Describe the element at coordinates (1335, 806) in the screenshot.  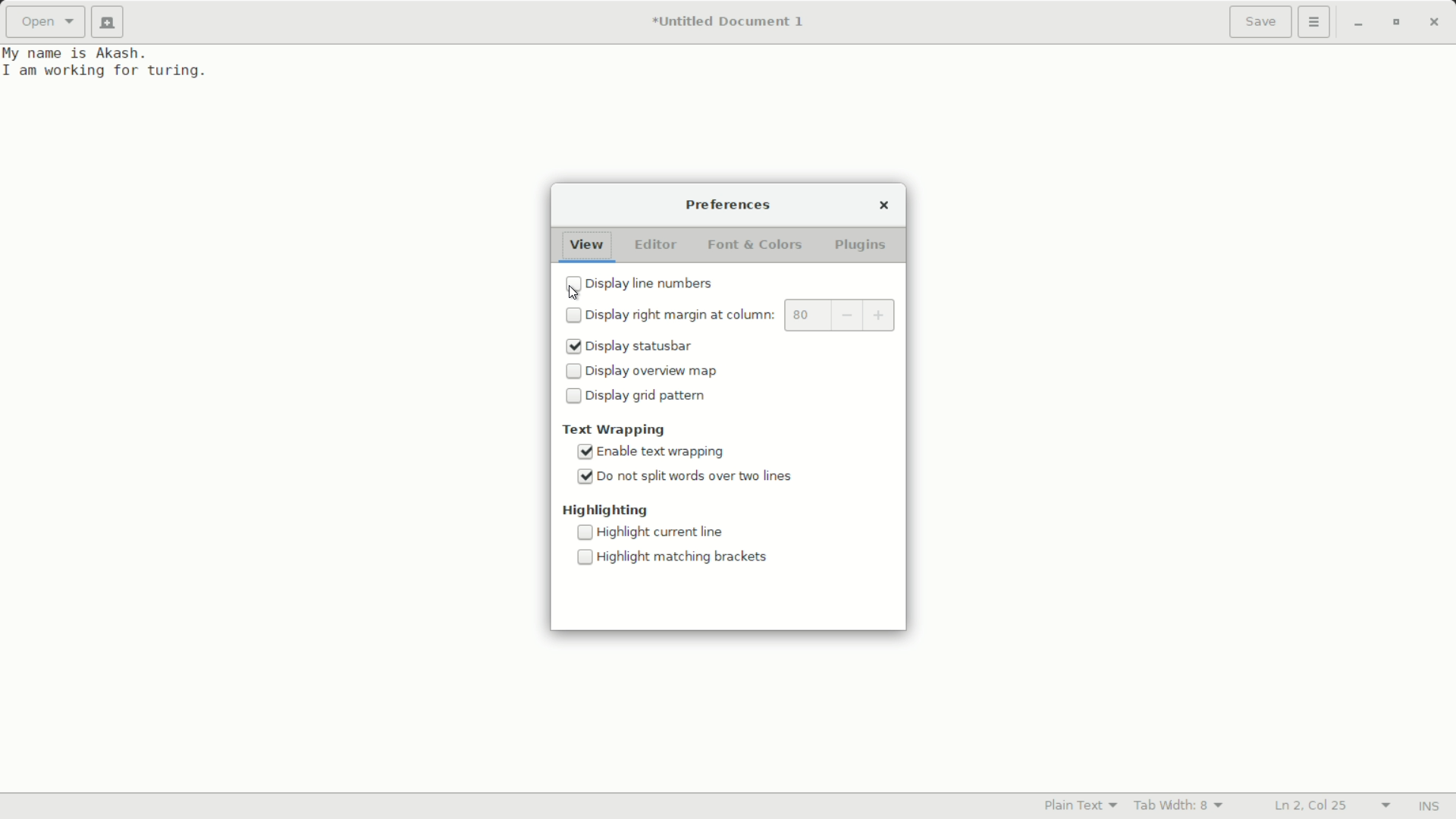
I see `lines and columns` at that location.